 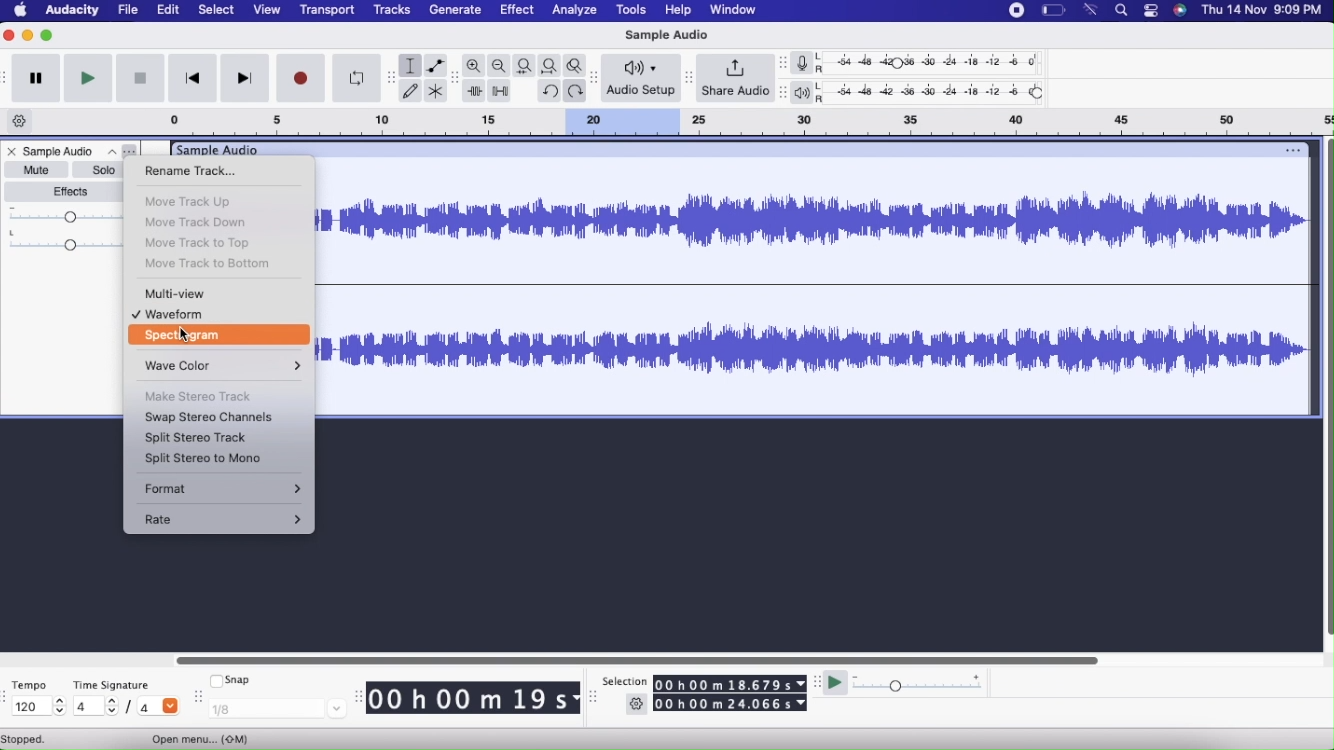 I want to click on Multi-view, so click(x=207, y=294).